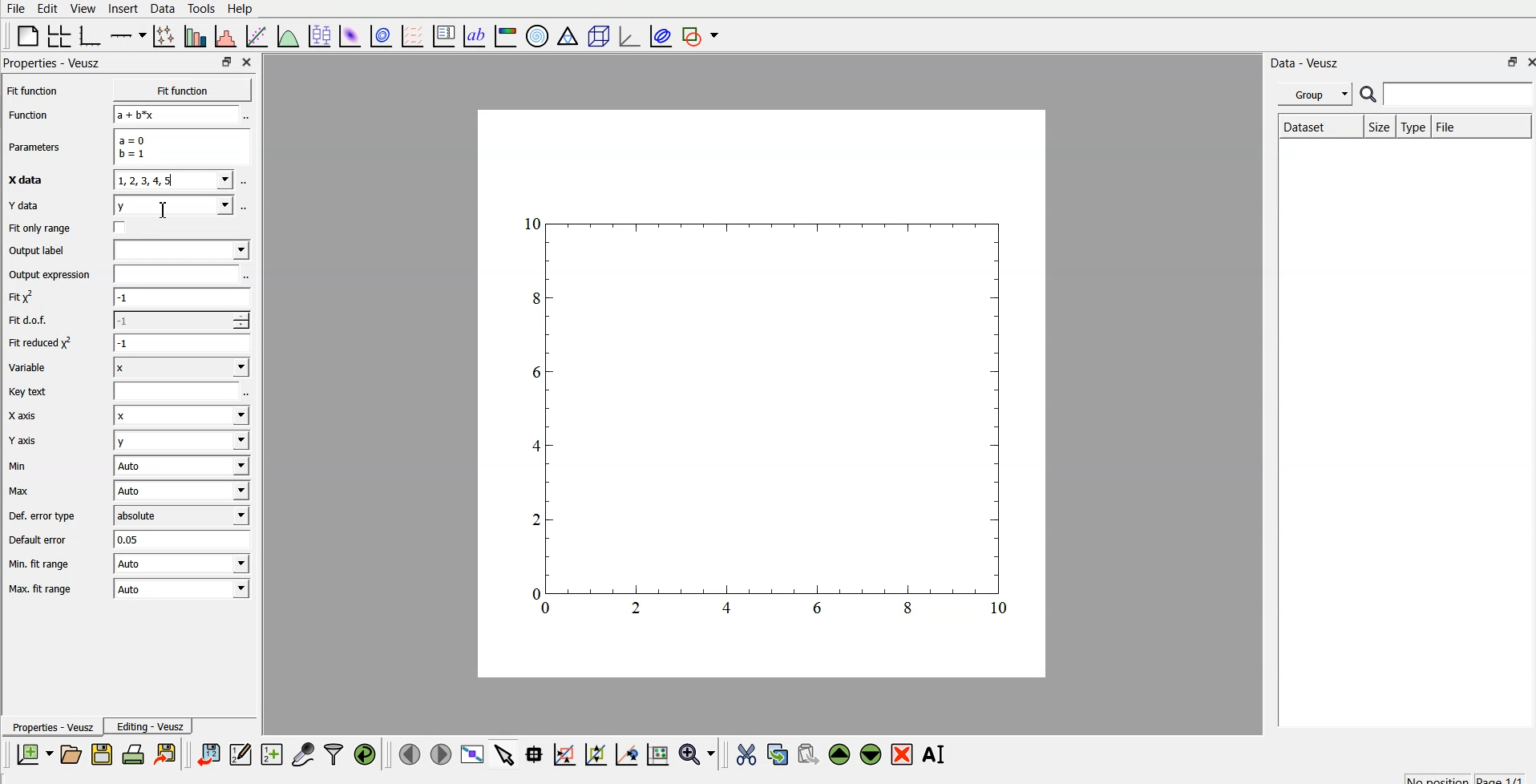 Image resolution: width=1536 pixels, height=784 pixels. Describe the element at coordinates (335, 756) in the screenshot. I see `filter data` at that location.